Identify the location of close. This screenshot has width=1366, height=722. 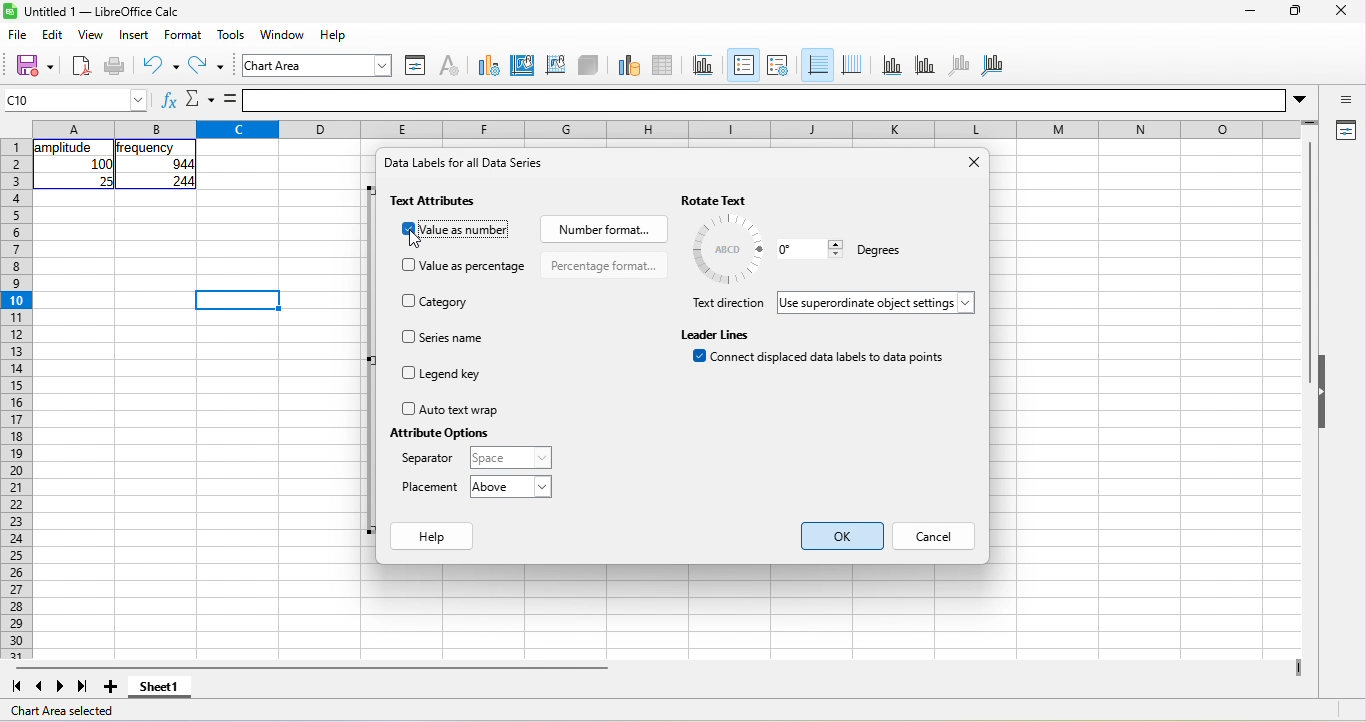
(1340, 13).